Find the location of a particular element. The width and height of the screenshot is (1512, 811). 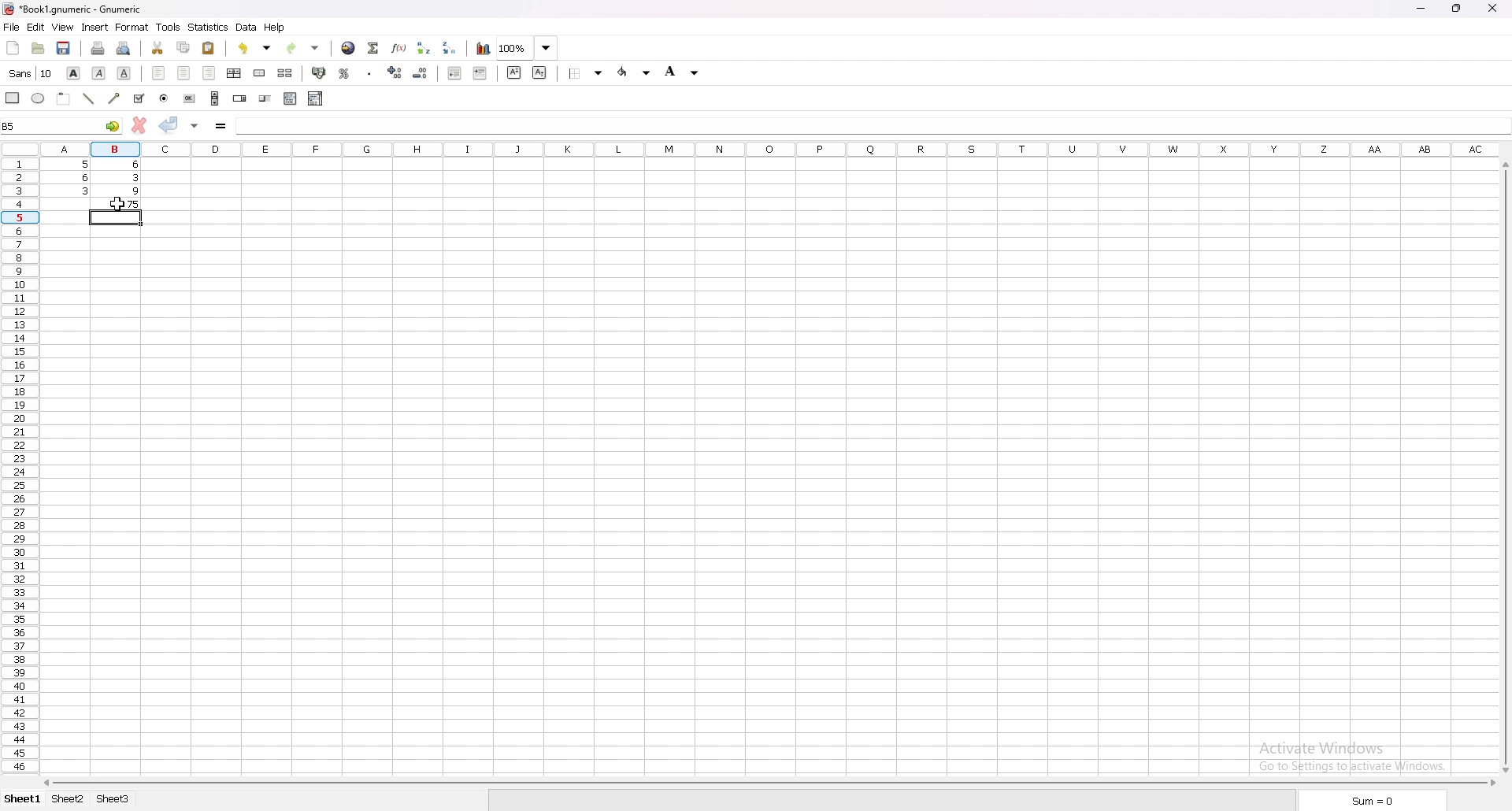

sort ascending is located at coordinates (423, 47).